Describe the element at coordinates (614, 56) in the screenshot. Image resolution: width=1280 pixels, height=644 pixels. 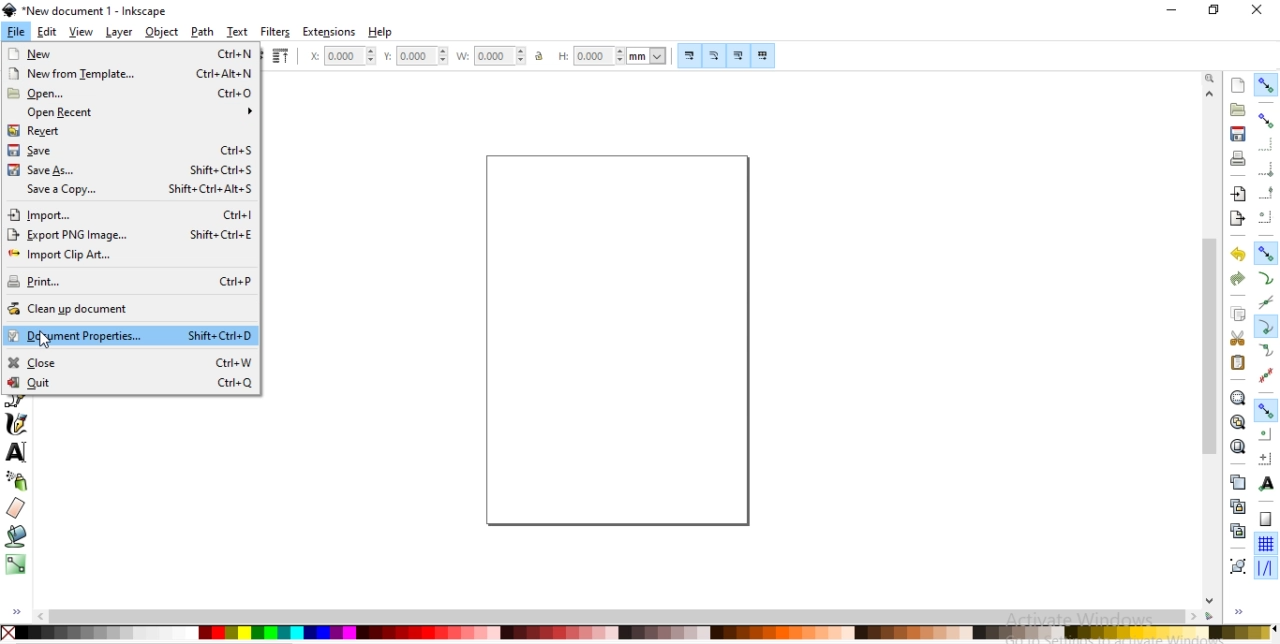
I see `height of selection` at that location.